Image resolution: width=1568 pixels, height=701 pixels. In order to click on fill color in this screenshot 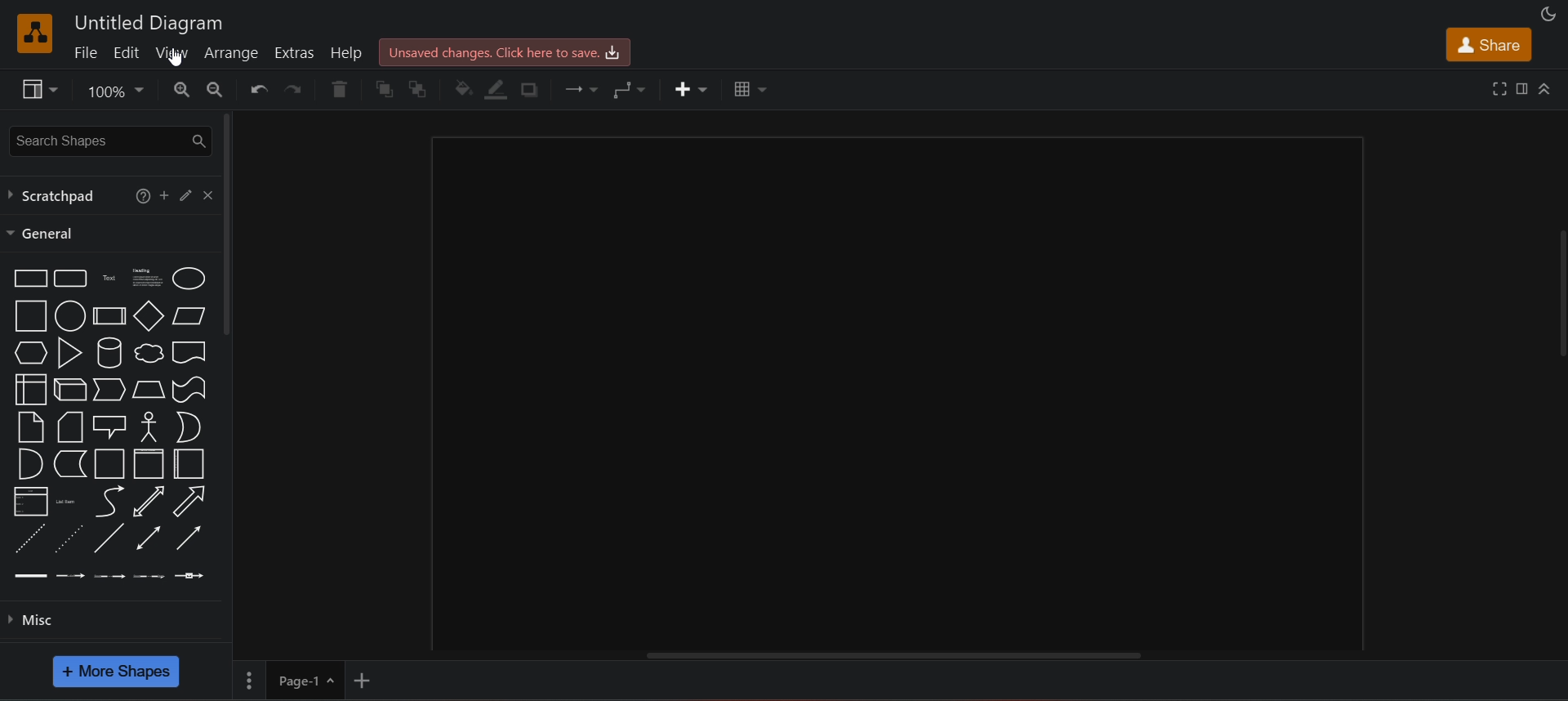, I will do `click(463, 89)`.